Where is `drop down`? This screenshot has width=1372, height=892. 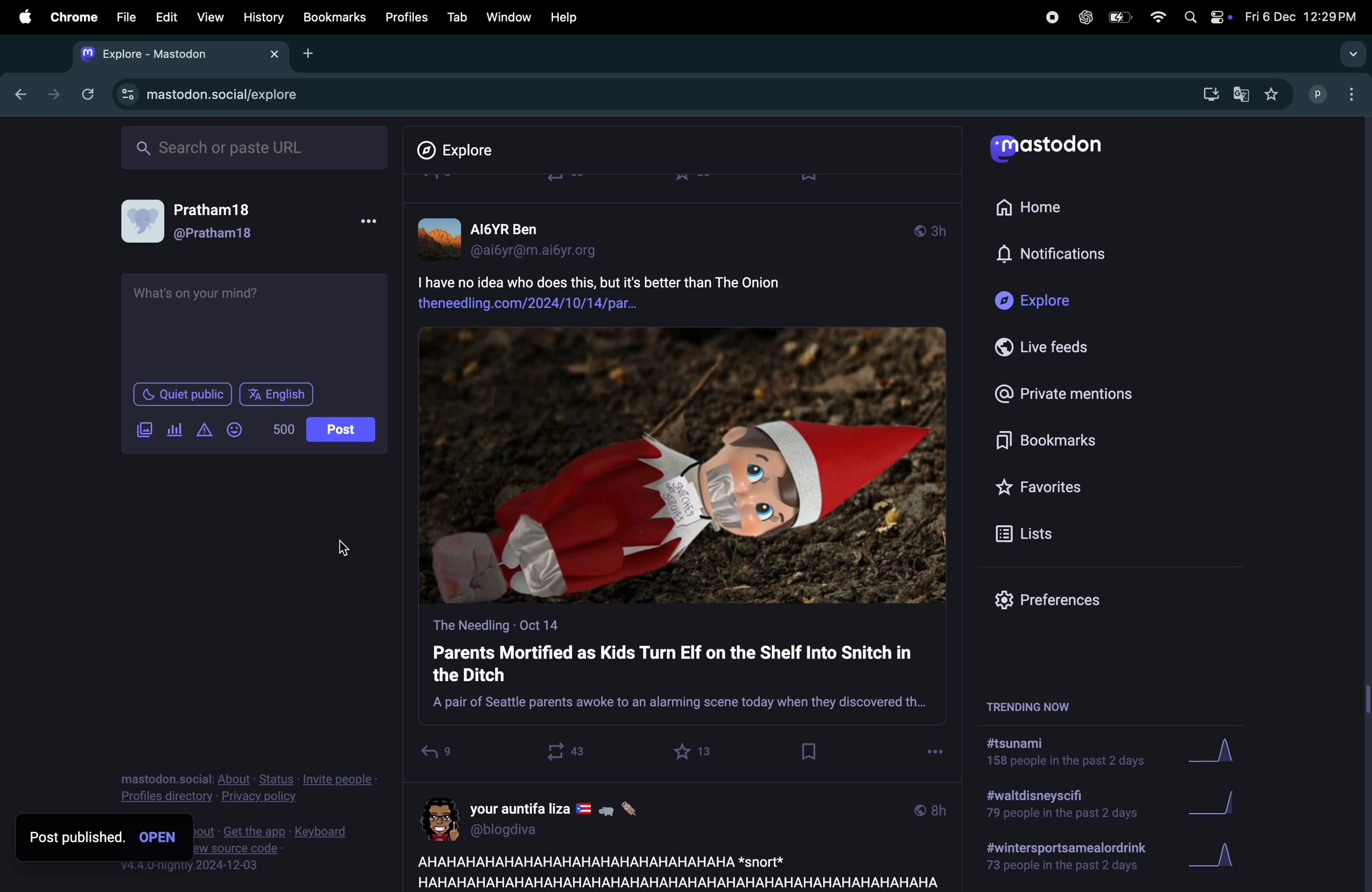 drop down is located at coordinates (1349, 55).